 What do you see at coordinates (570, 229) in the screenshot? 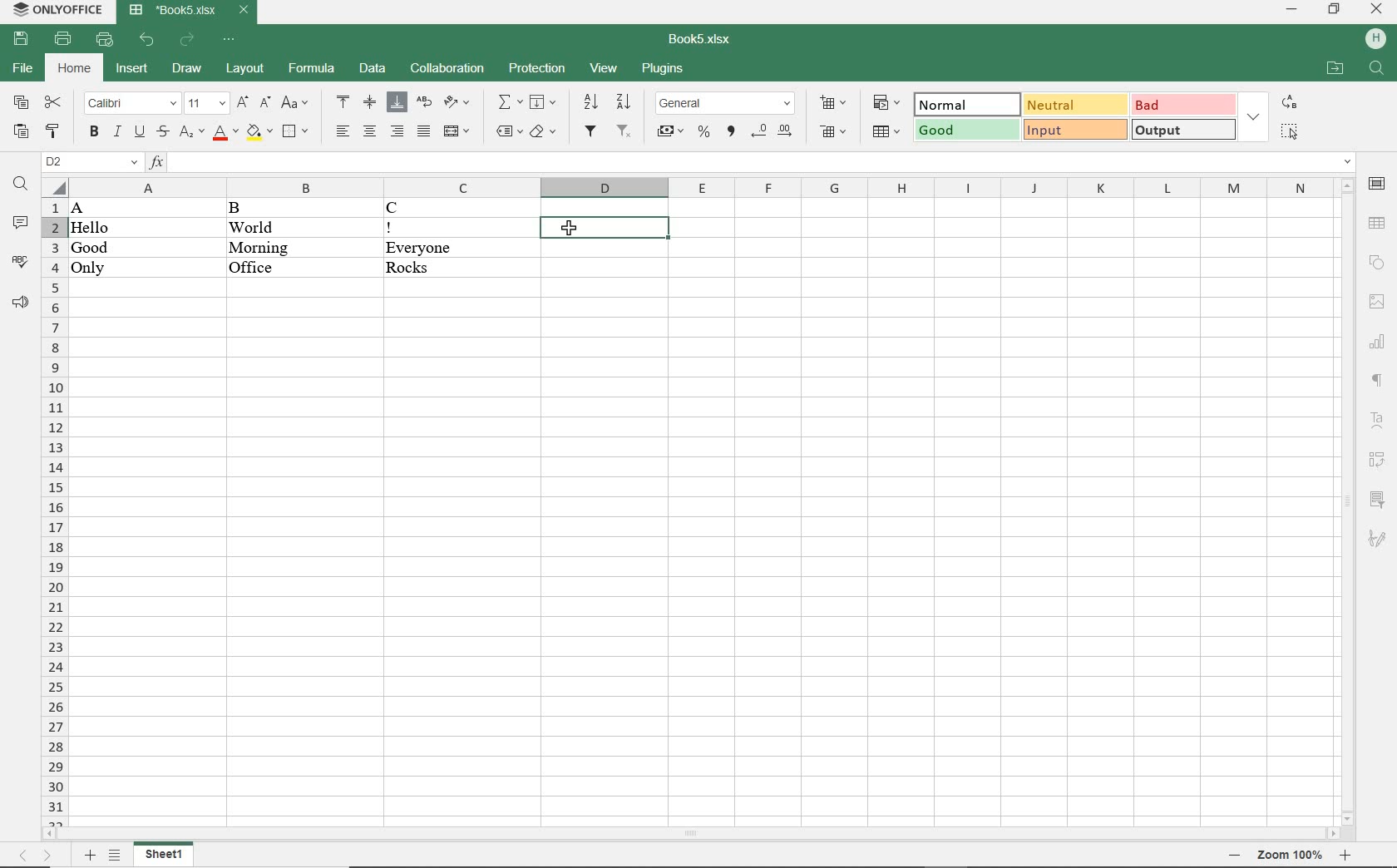
I see `CURSOR` at bounding box center [570, 229].